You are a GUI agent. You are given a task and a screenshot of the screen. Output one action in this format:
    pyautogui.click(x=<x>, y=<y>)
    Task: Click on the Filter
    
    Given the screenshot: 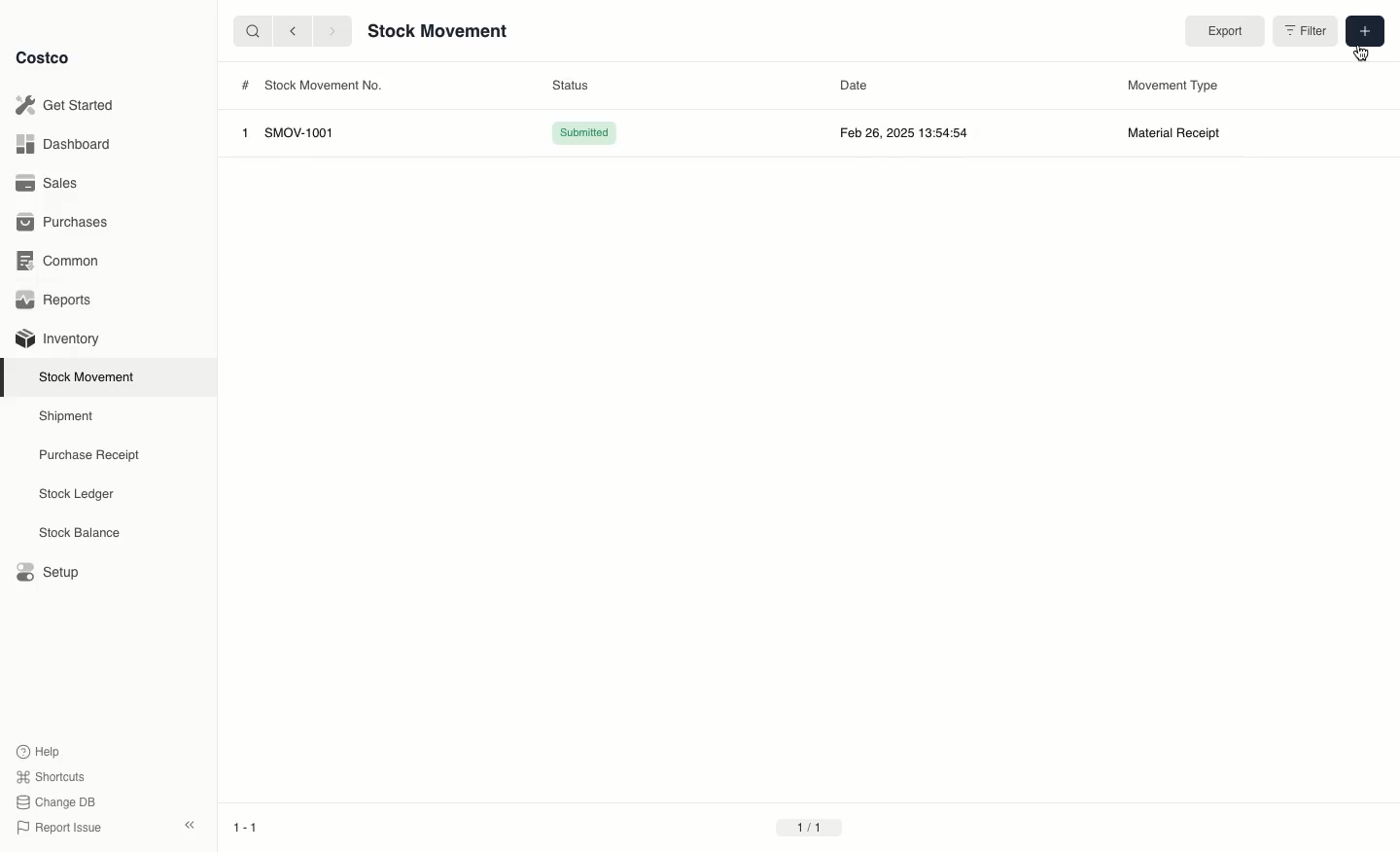 What is the action you would take?
    pyautogui.click(x=1307, y=33)
    